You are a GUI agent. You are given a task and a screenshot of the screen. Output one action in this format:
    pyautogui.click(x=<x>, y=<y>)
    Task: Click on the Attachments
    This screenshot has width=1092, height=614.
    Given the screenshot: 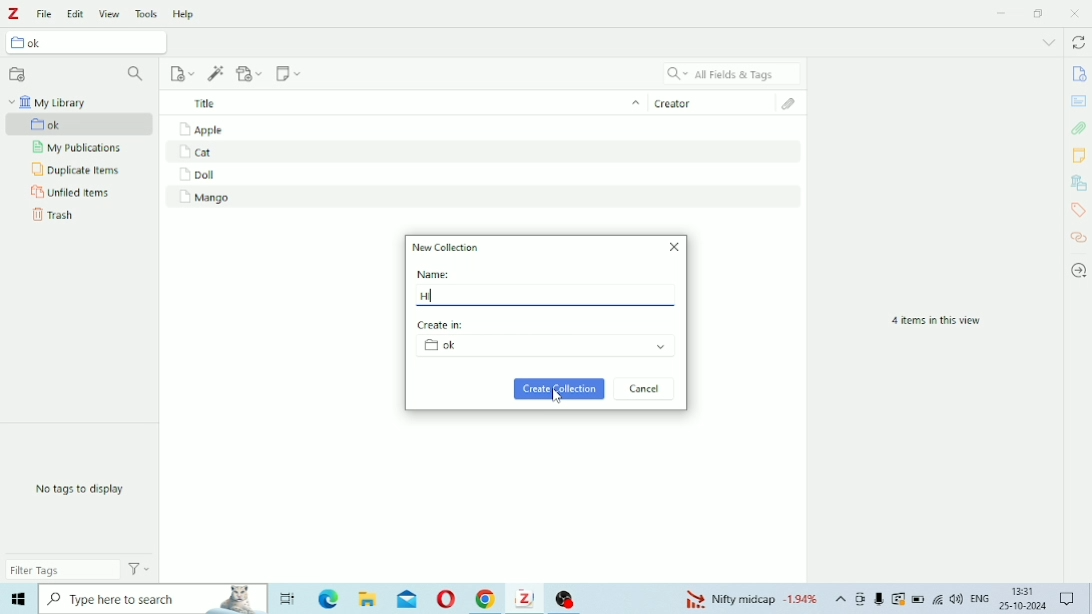 What is the action you would take?
    pyautogui.click(x=795, y=104)
    